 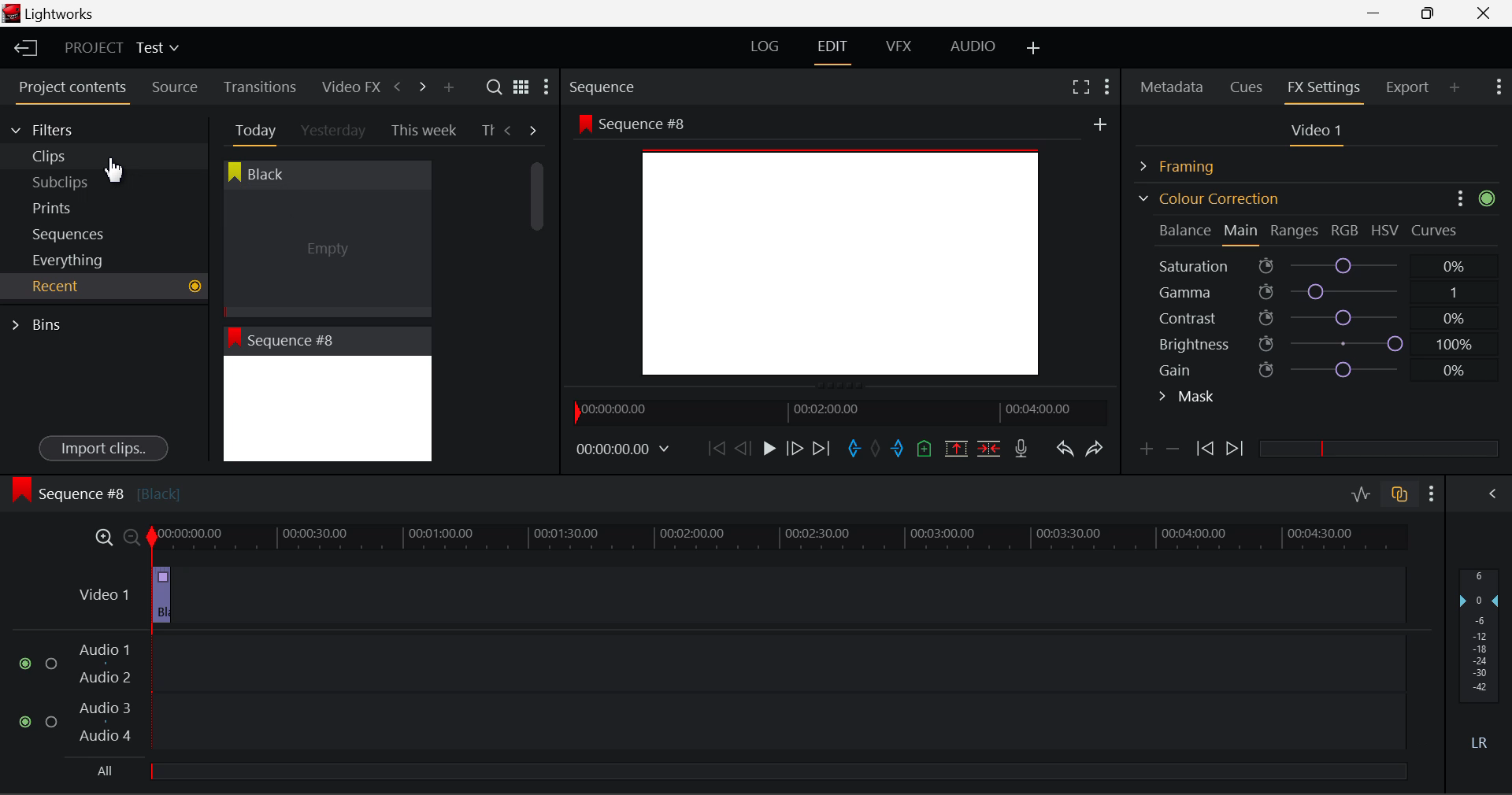 What do you see at coordinates (1379, 13) in the screenshot?
I see `Restore Down` at bounding box center [1379, 13].